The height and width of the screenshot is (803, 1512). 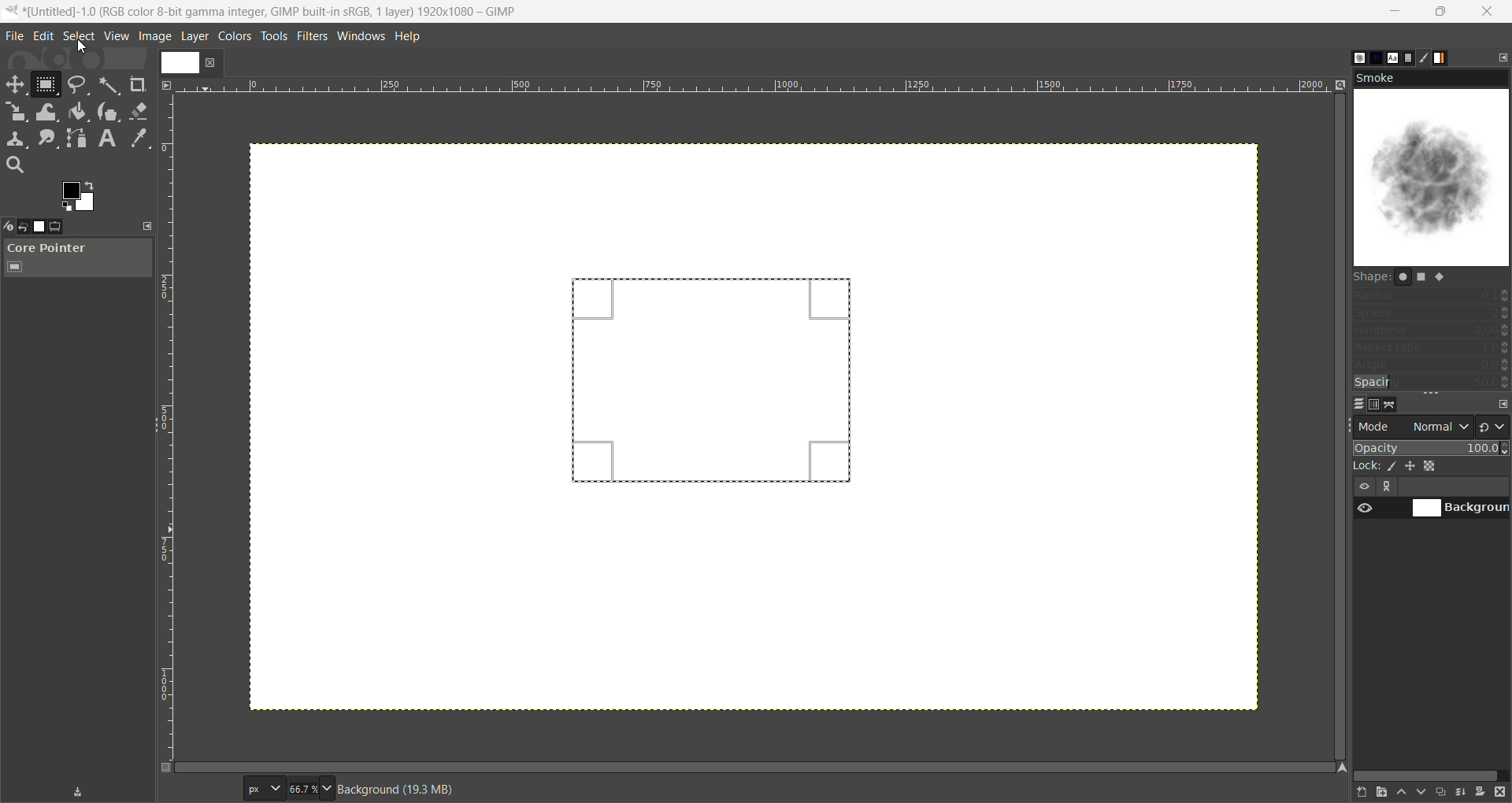 I want to click on paths tool, so click(x=76, y=138).